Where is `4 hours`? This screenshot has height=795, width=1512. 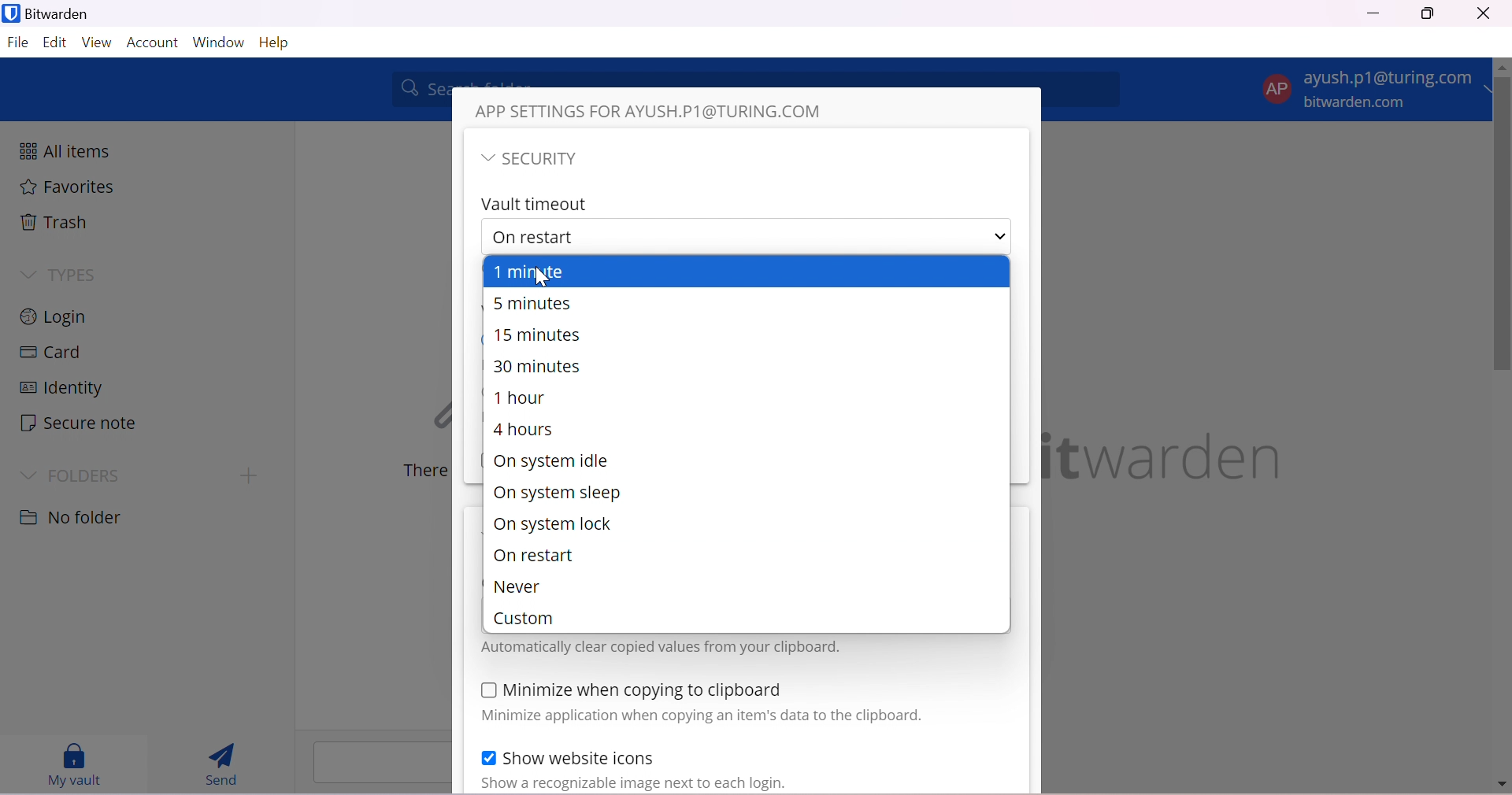
4 hours is located at coordinates (523, 427).